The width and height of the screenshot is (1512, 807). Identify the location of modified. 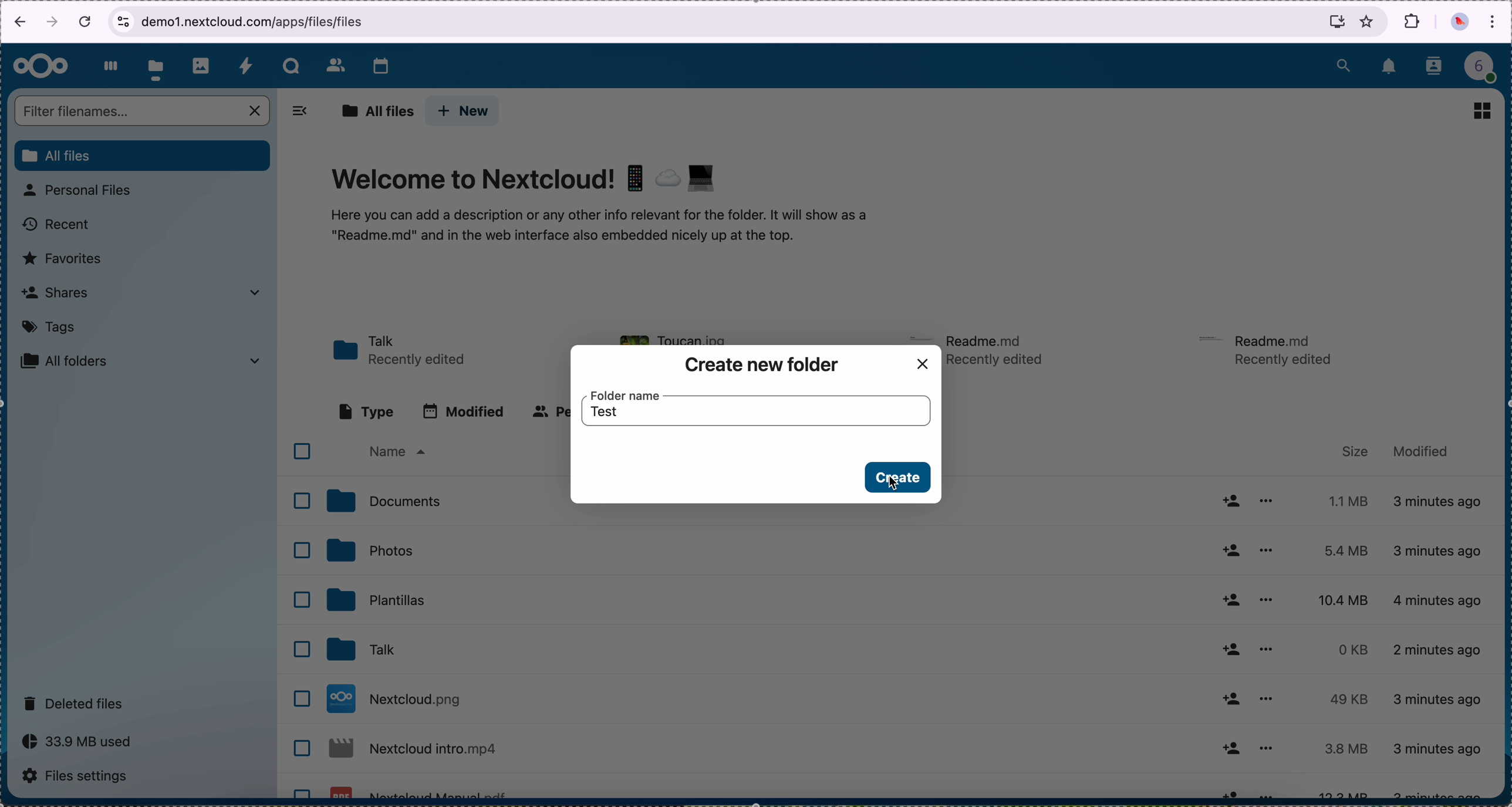
(1421, 450).